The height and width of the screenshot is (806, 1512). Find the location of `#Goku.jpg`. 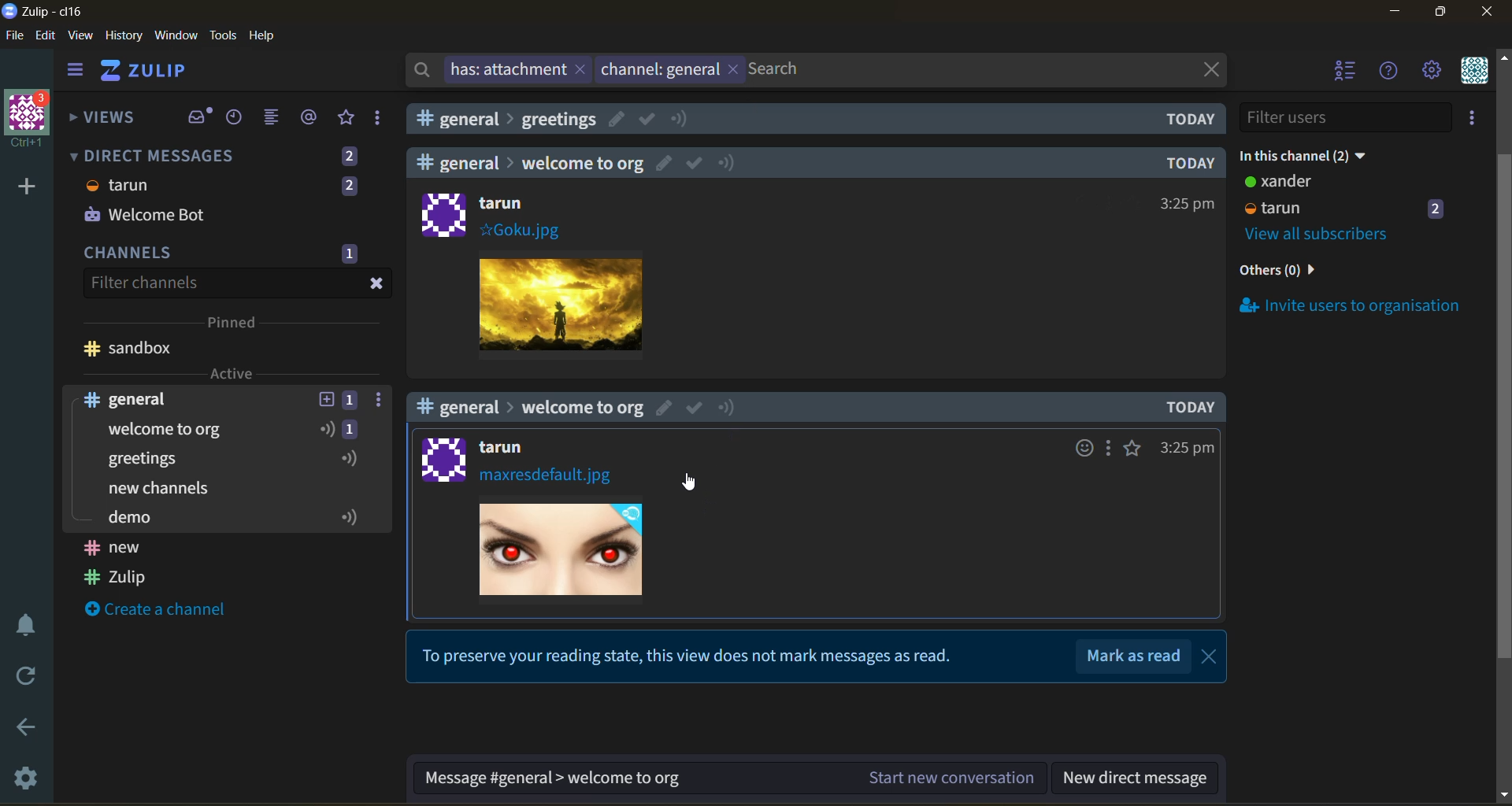

#Goku.jpg is located at coordinates (519, 229).